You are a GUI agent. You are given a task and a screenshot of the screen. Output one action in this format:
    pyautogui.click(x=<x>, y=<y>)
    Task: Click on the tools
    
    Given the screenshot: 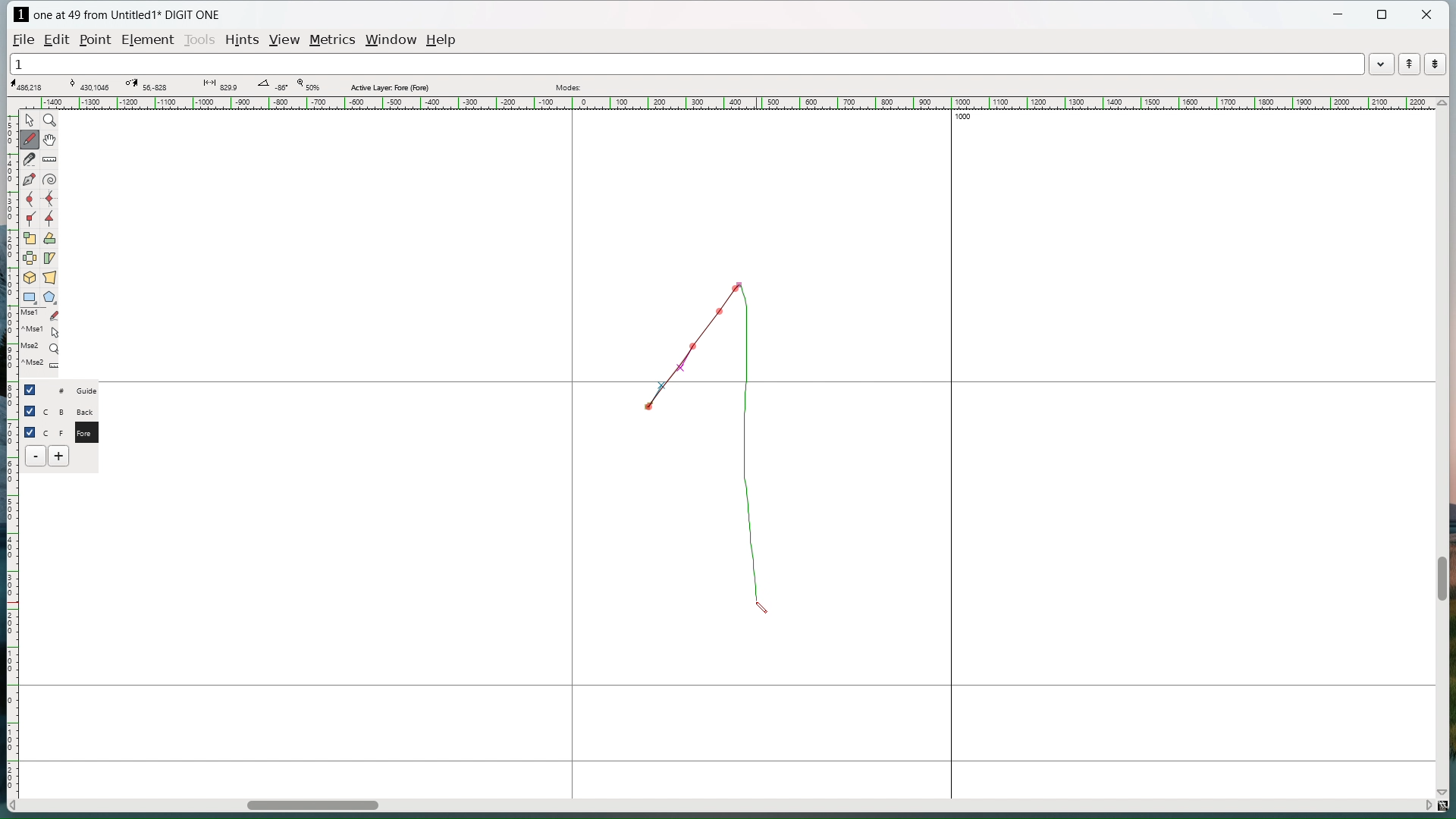 What is the action you would take?
    pyautogui.click(x=199, y=41)
    